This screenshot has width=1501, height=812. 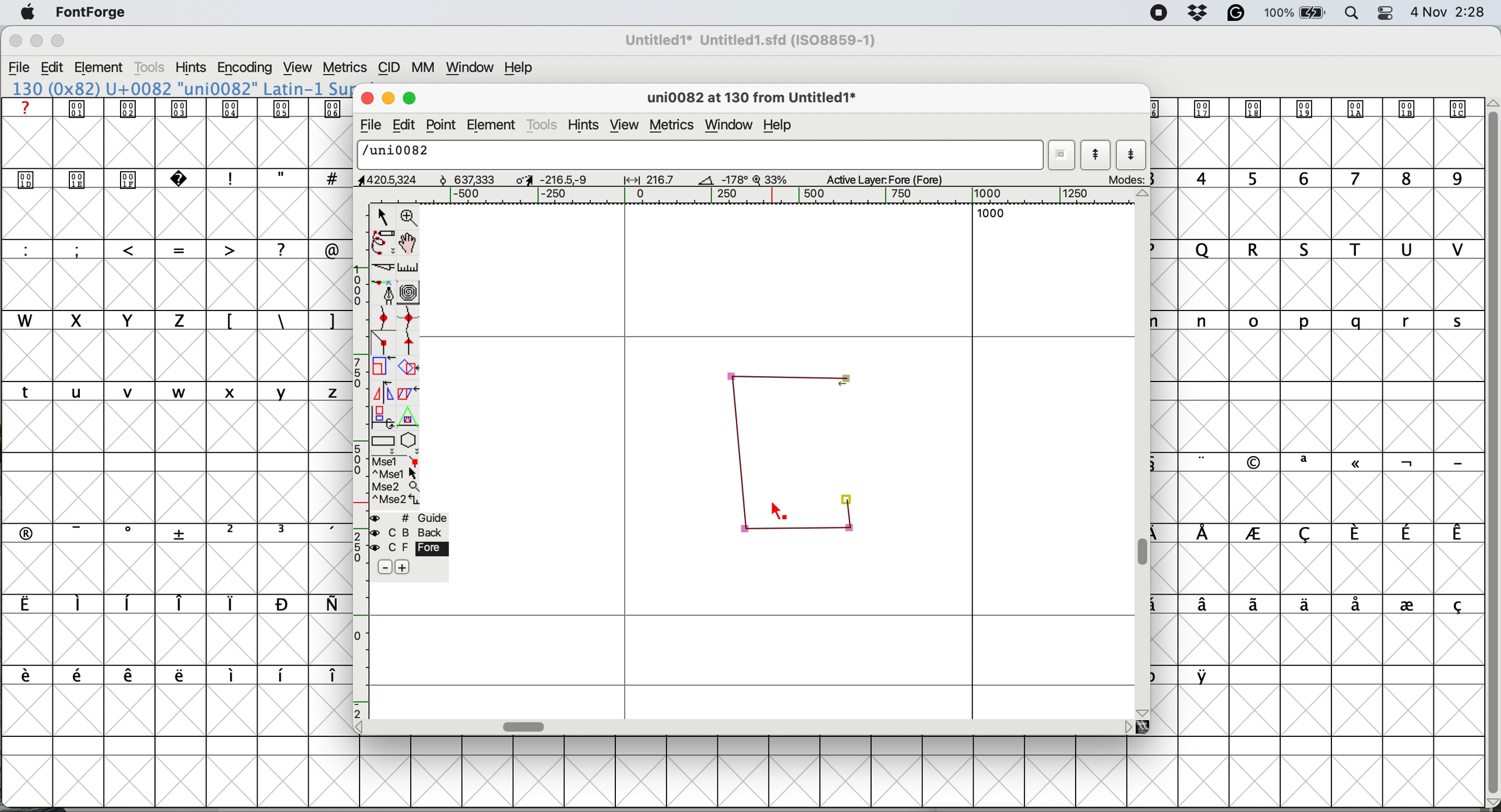 I want to click on scroll button, so click(x=1144, y=195).